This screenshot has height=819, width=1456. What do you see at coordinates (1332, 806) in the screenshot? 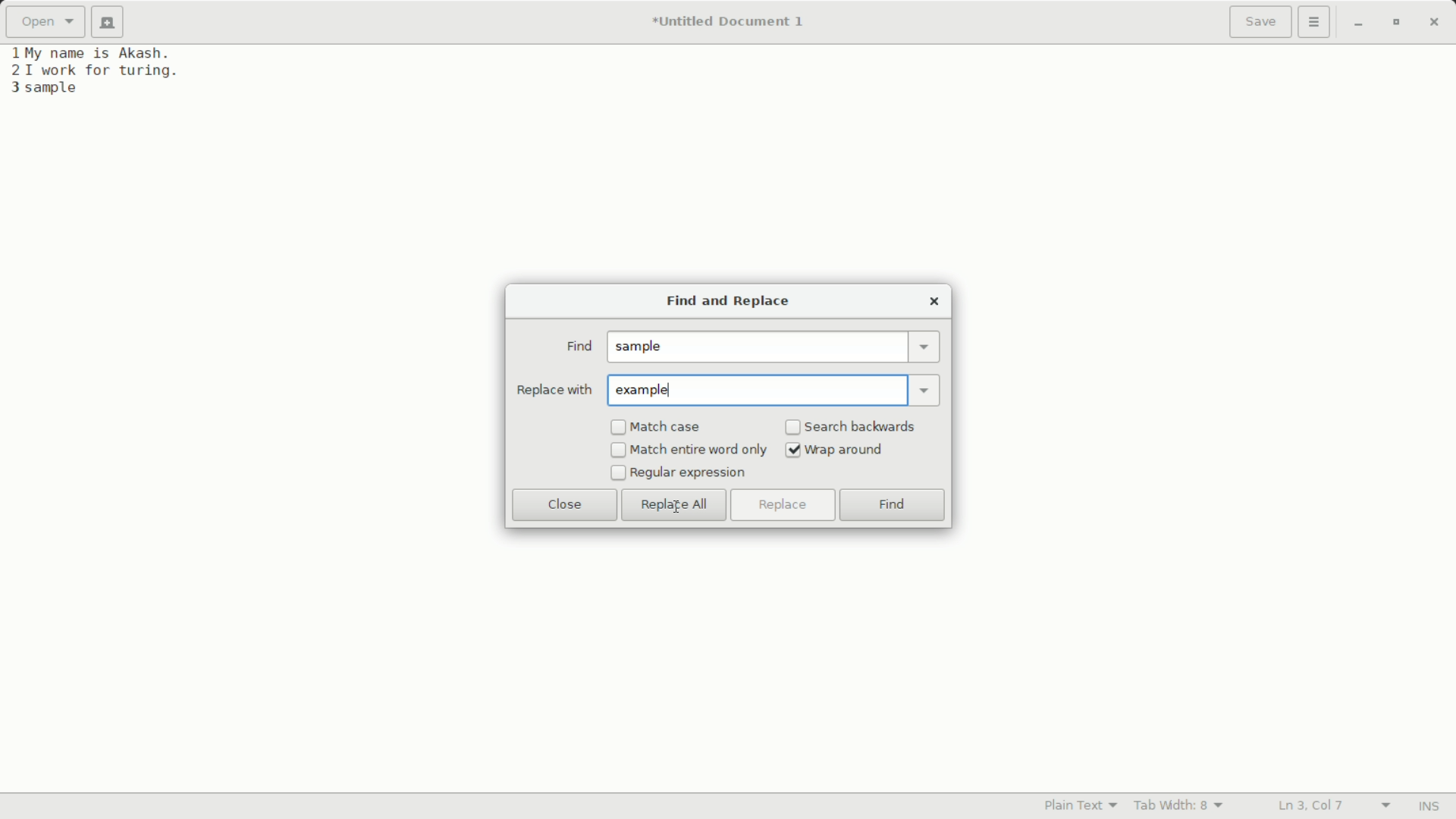
I see `lines and columns` at bounding box center [1332, 806].